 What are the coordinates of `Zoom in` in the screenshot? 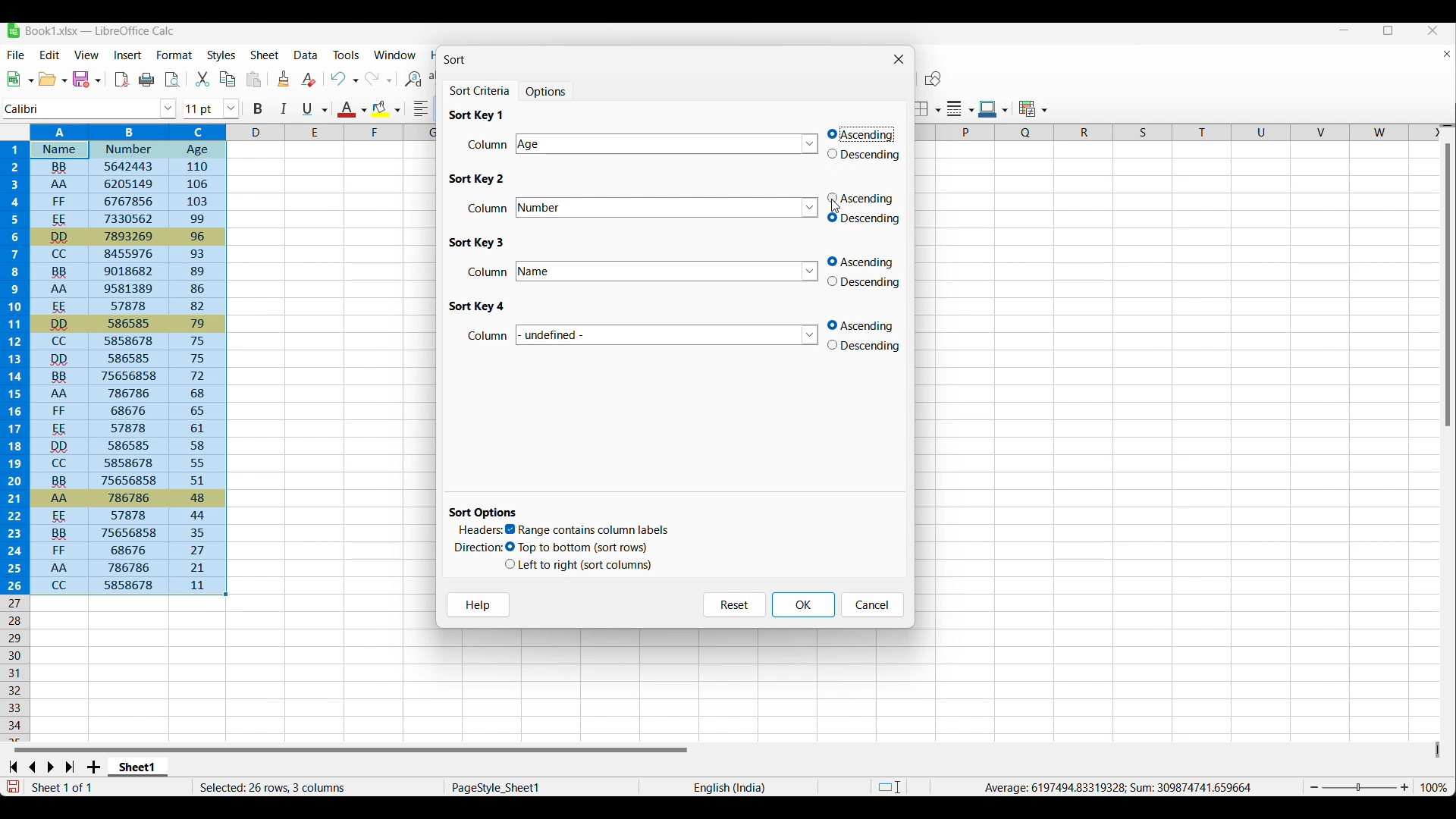 It's located at (1404, 787).